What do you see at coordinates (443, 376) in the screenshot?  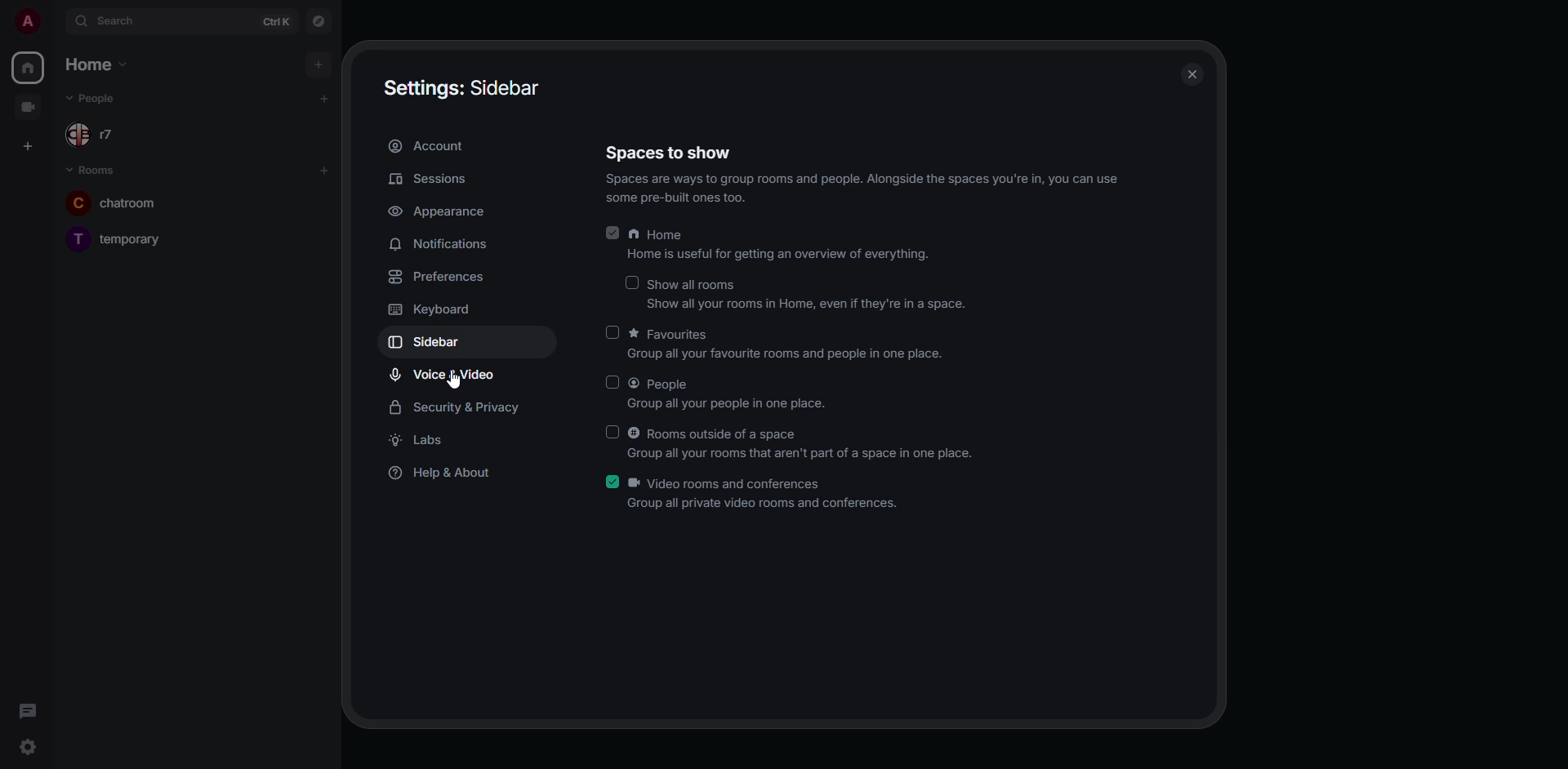 I see `voice & video` at bounding box center [443, 376].